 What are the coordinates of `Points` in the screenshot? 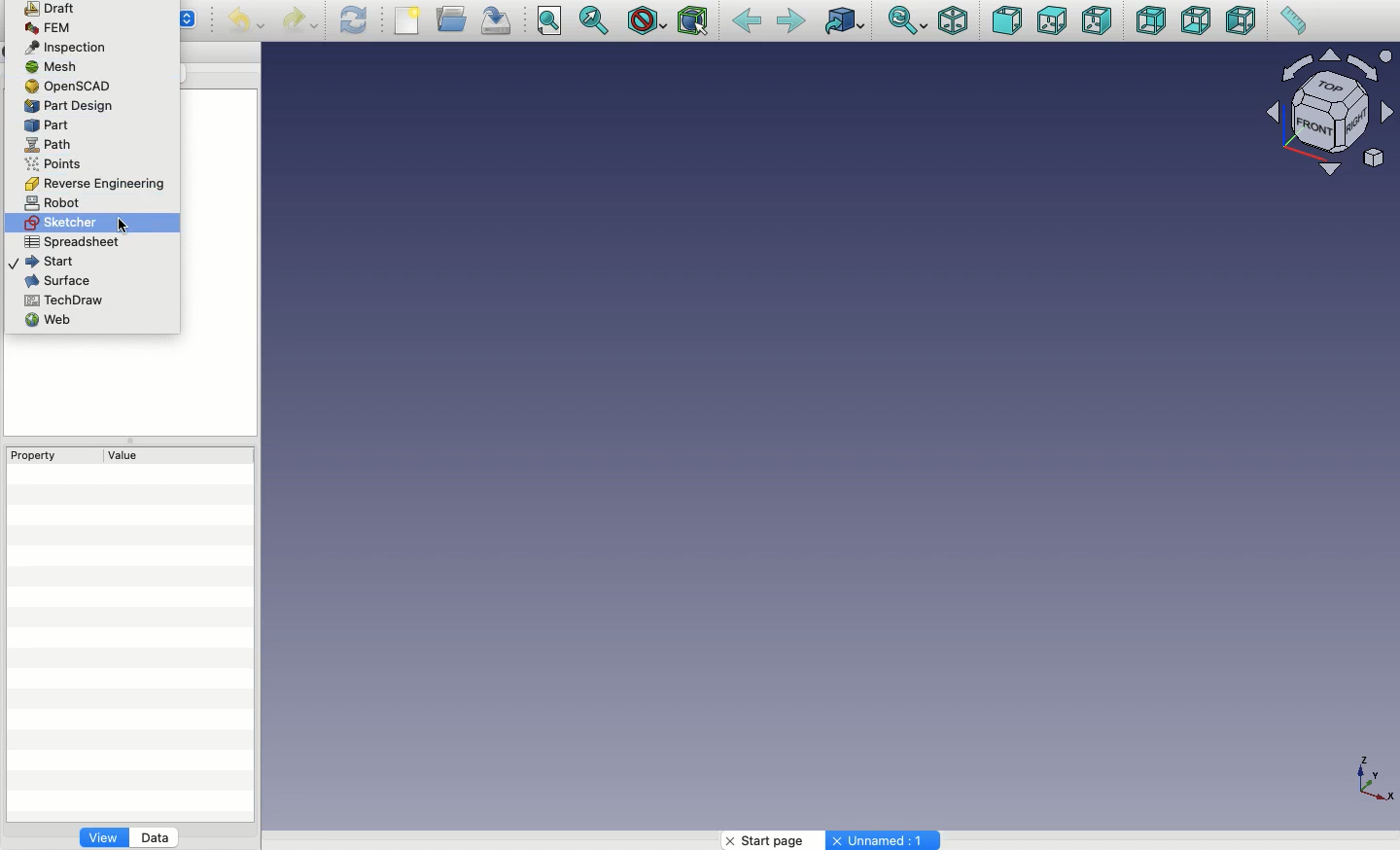 It's located at (55, 164).